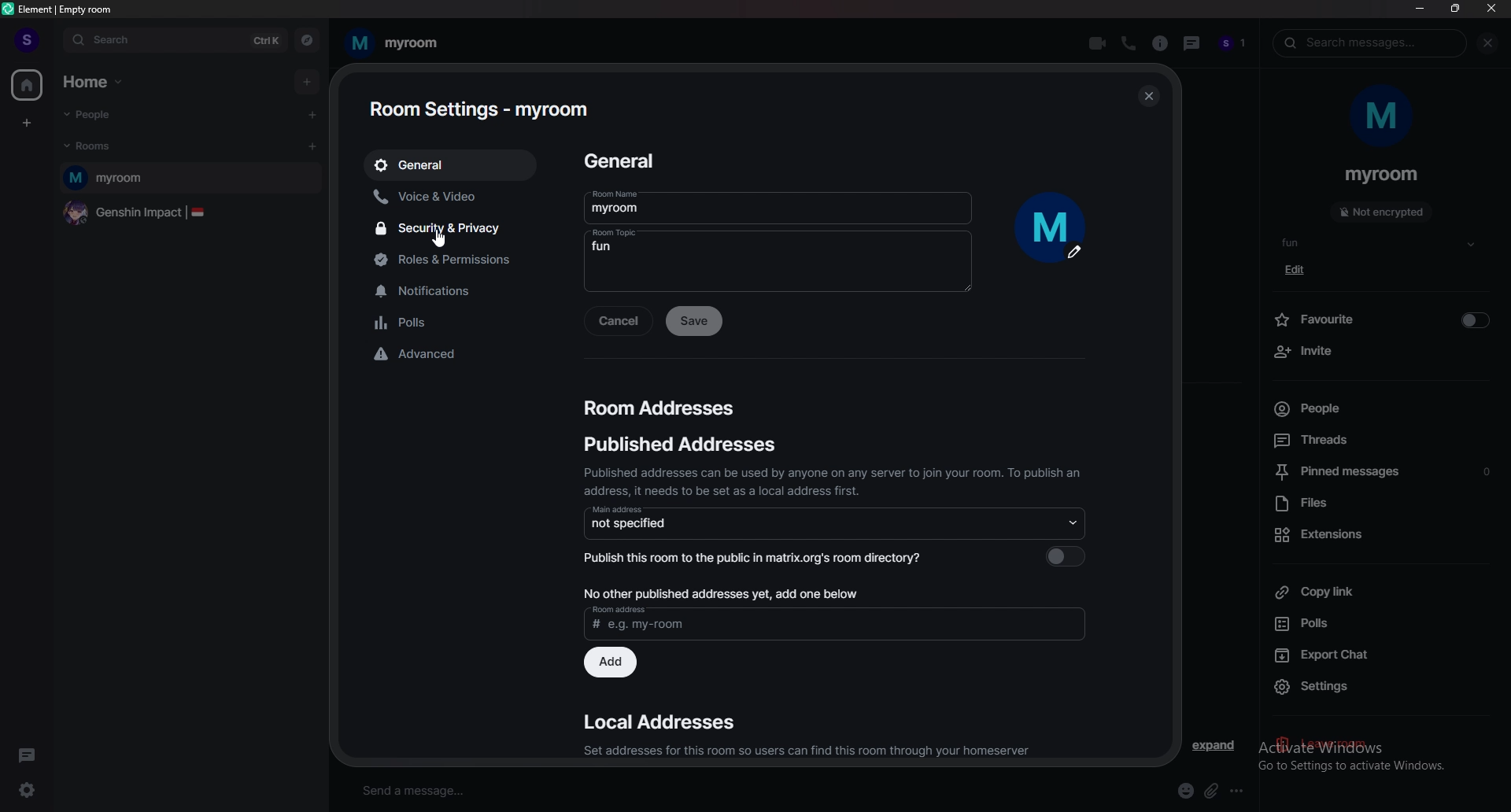  What do you see at coordinates (28, 85) in the screenshot?
I see `home` at bounding box center [28, 85].